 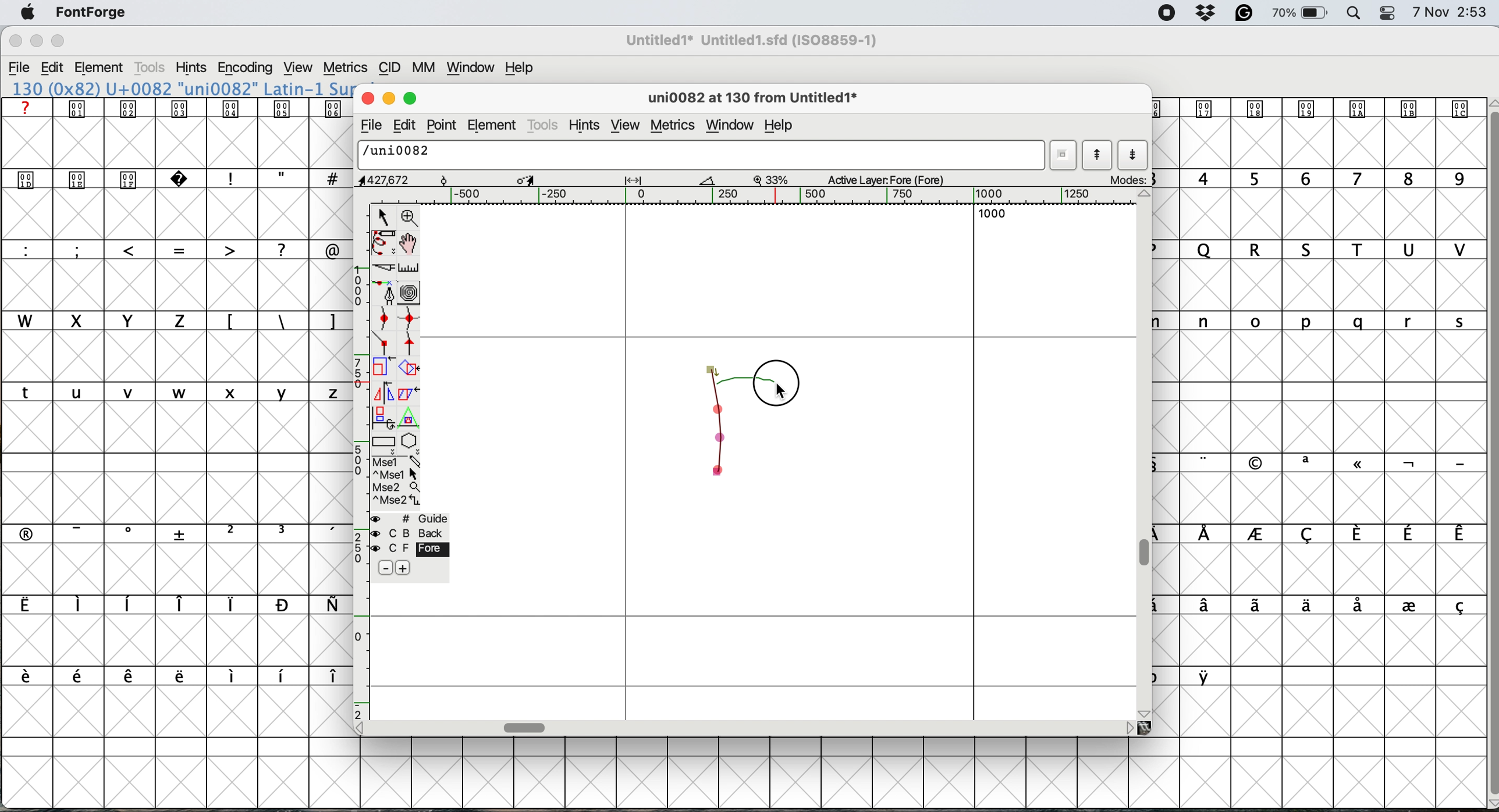 What do you see at coordinates (1065, 155) in the screenshot?
I see `current word list` at bounding box center [1065, 155].